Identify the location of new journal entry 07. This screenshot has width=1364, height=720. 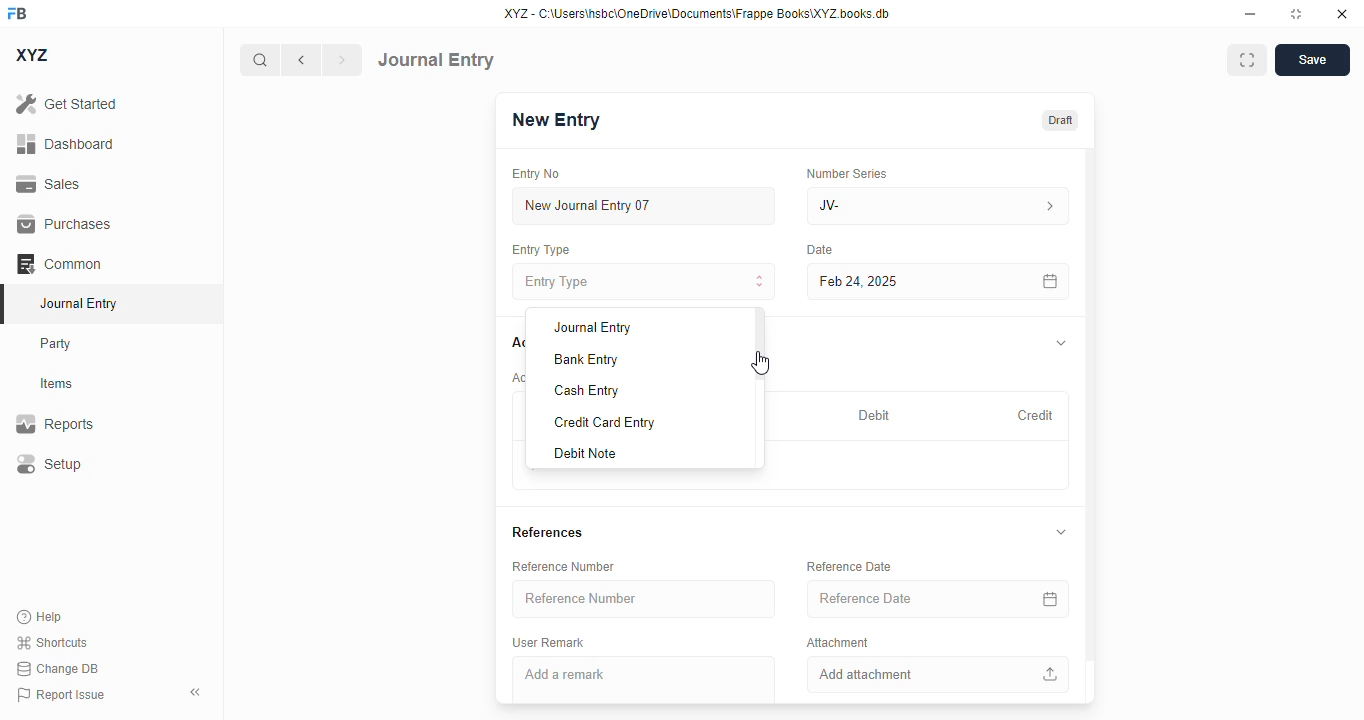
(645, 205).